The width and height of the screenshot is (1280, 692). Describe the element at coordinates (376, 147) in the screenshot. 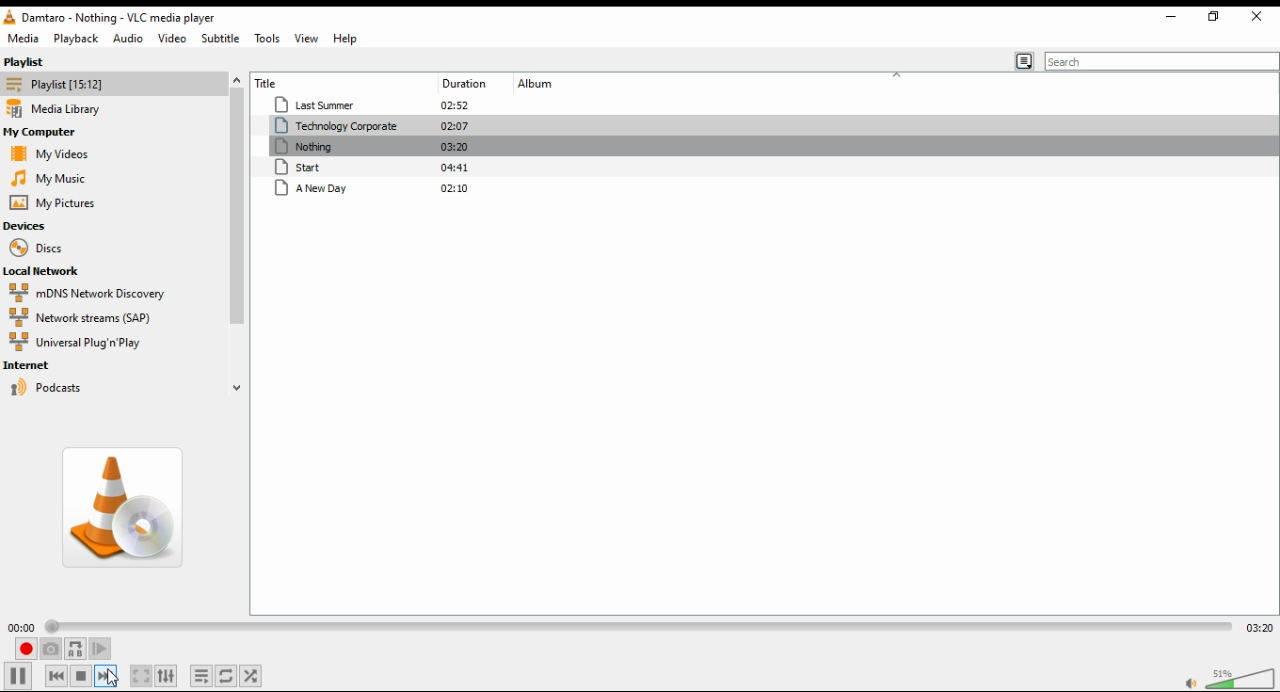

I see `nothing` at that location.